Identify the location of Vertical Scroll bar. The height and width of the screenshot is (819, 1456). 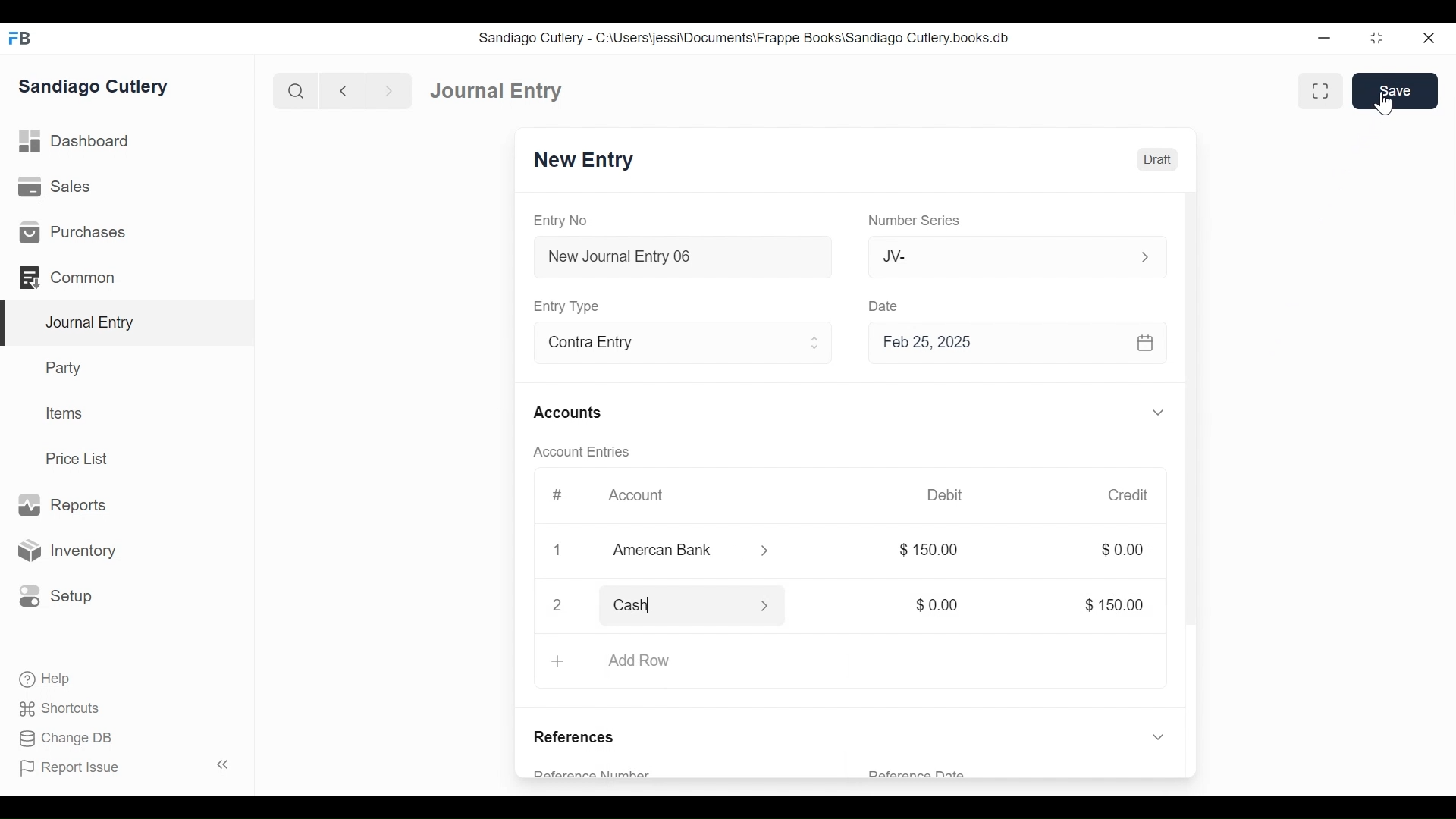
(1193, 431).